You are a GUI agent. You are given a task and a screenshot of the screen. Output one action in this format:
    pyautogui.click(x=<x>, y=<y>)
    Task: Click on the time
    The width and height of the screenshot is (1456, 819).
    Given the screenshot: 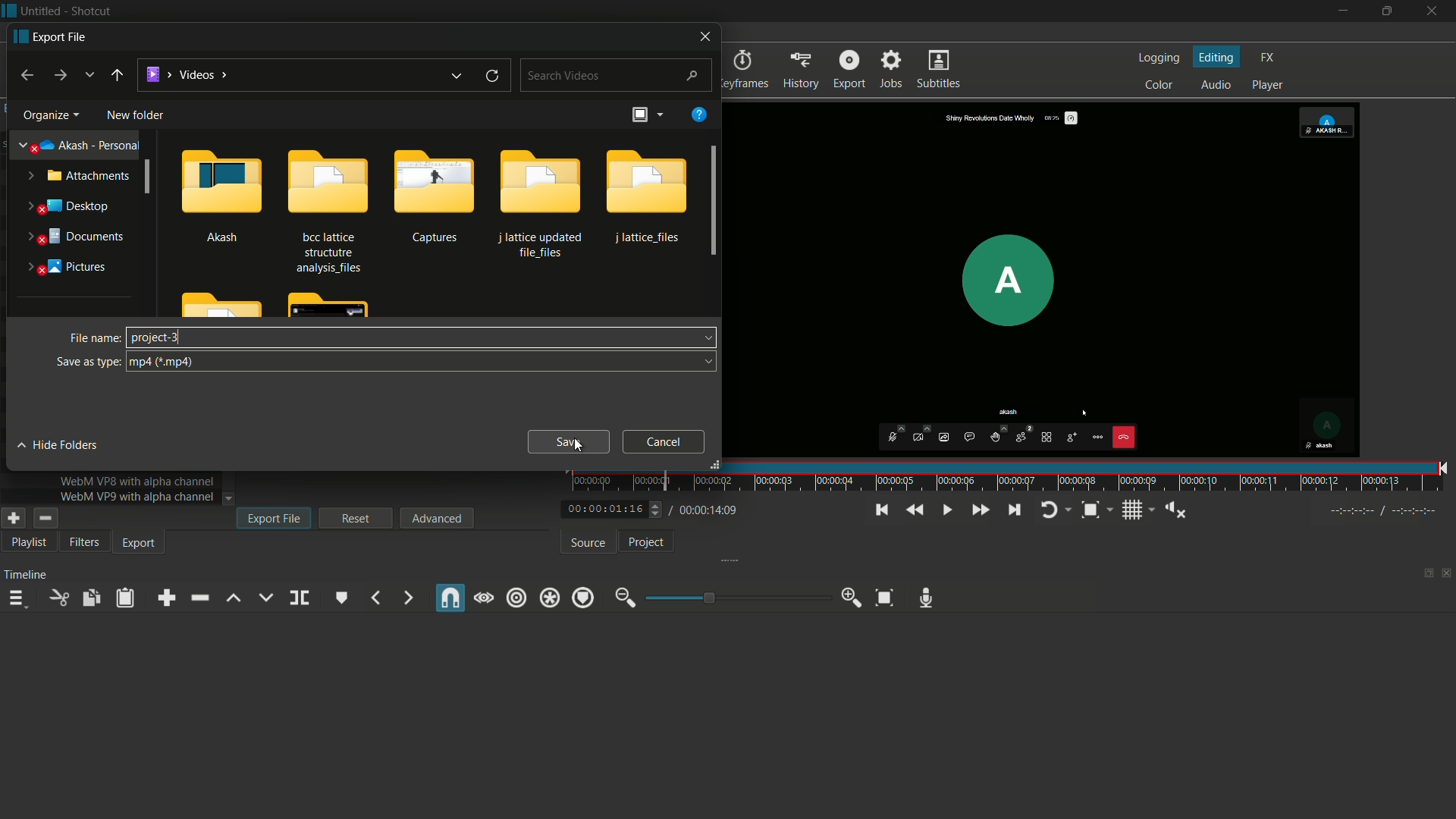 What is the action you would take?
    pyautogui.click(x=1012, y=477)
    